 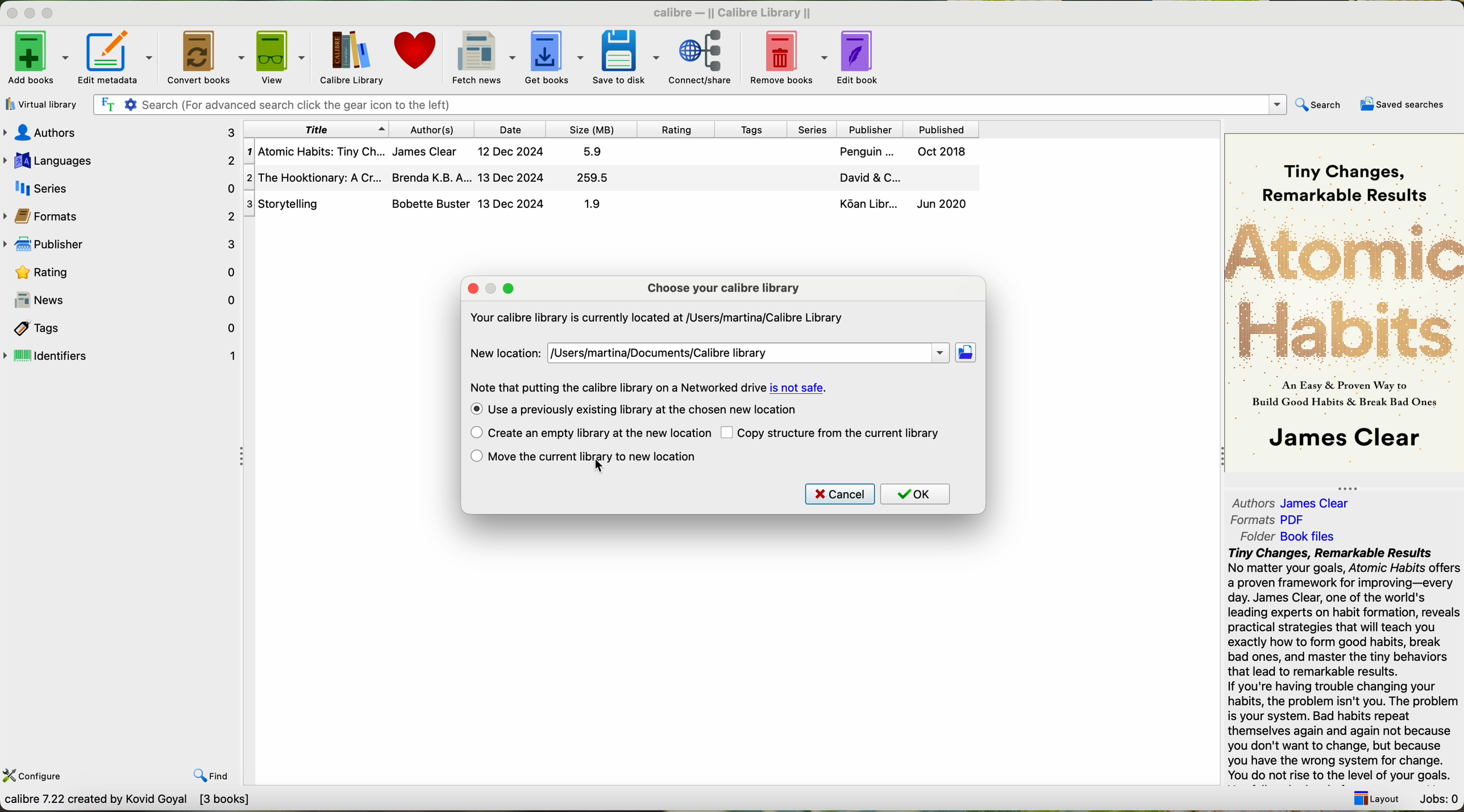 I want to click on David & C..., so click(x=897, y=178).